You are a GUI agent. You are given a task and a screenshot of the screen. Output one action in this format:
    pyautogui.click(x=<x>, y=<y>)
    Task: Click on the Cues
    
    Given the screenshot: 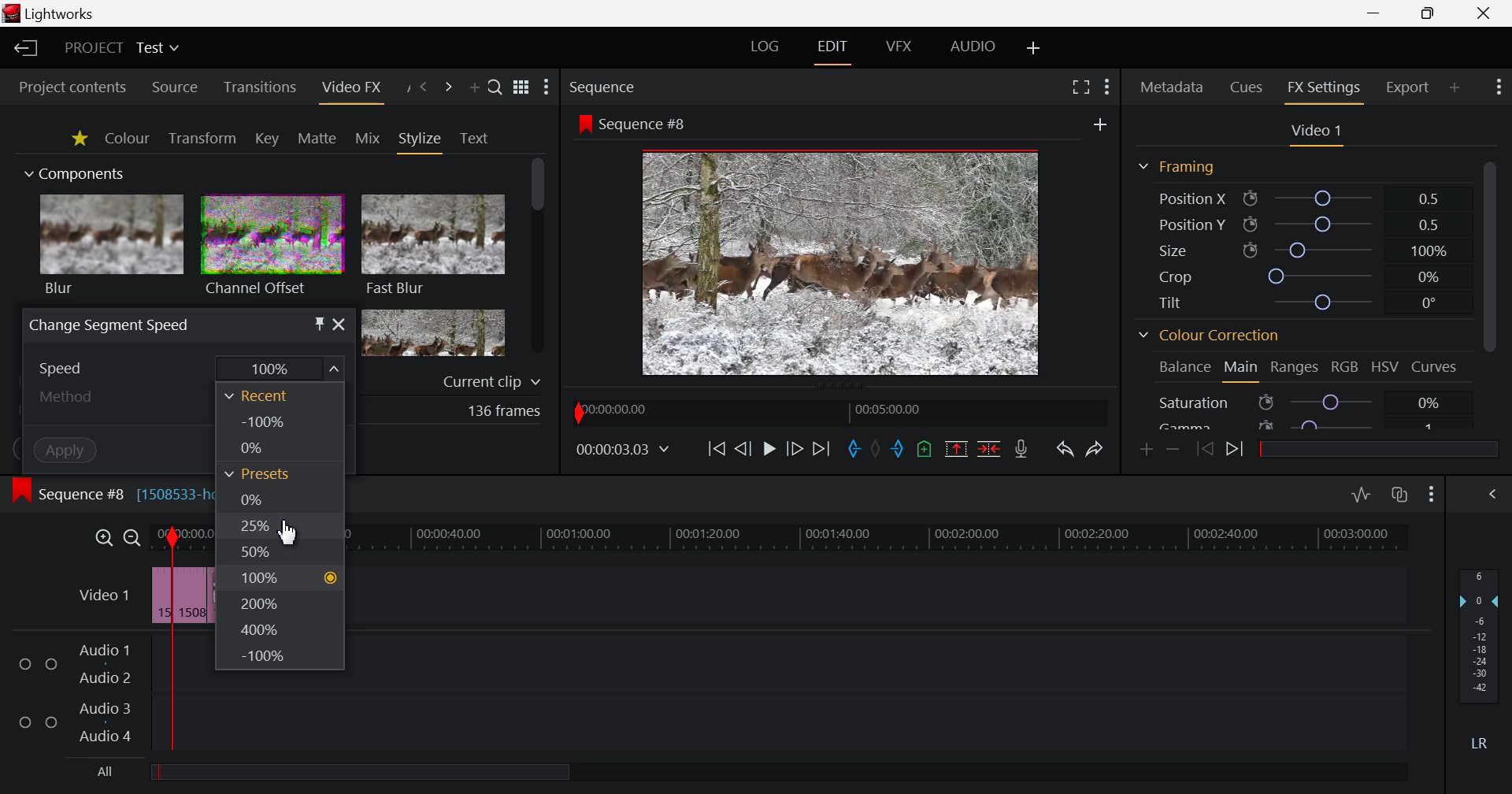 What is the action you would take?
    pyautogui.click(x=1247, y=88)
    